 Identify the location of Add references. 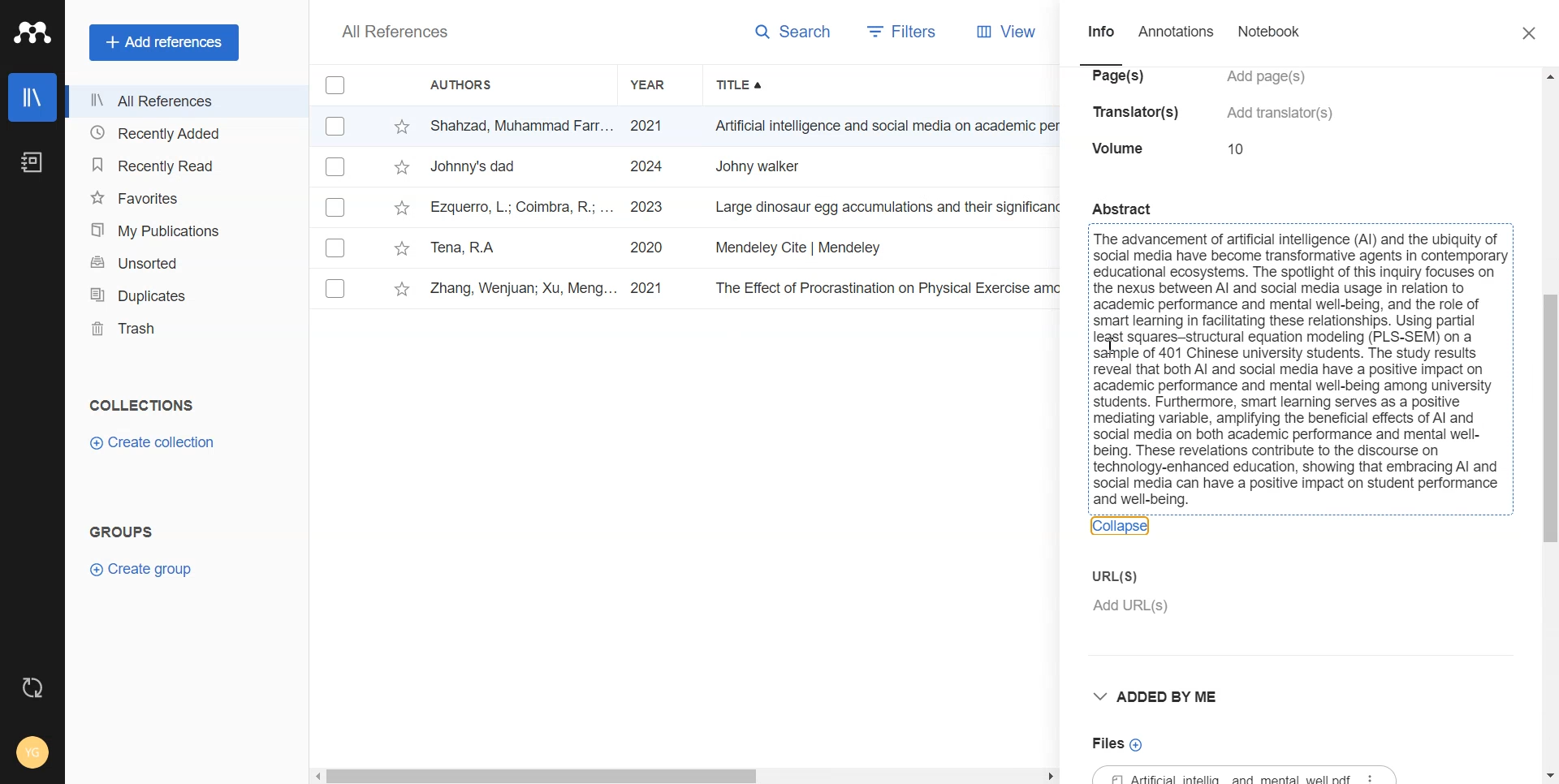
(166, 43).